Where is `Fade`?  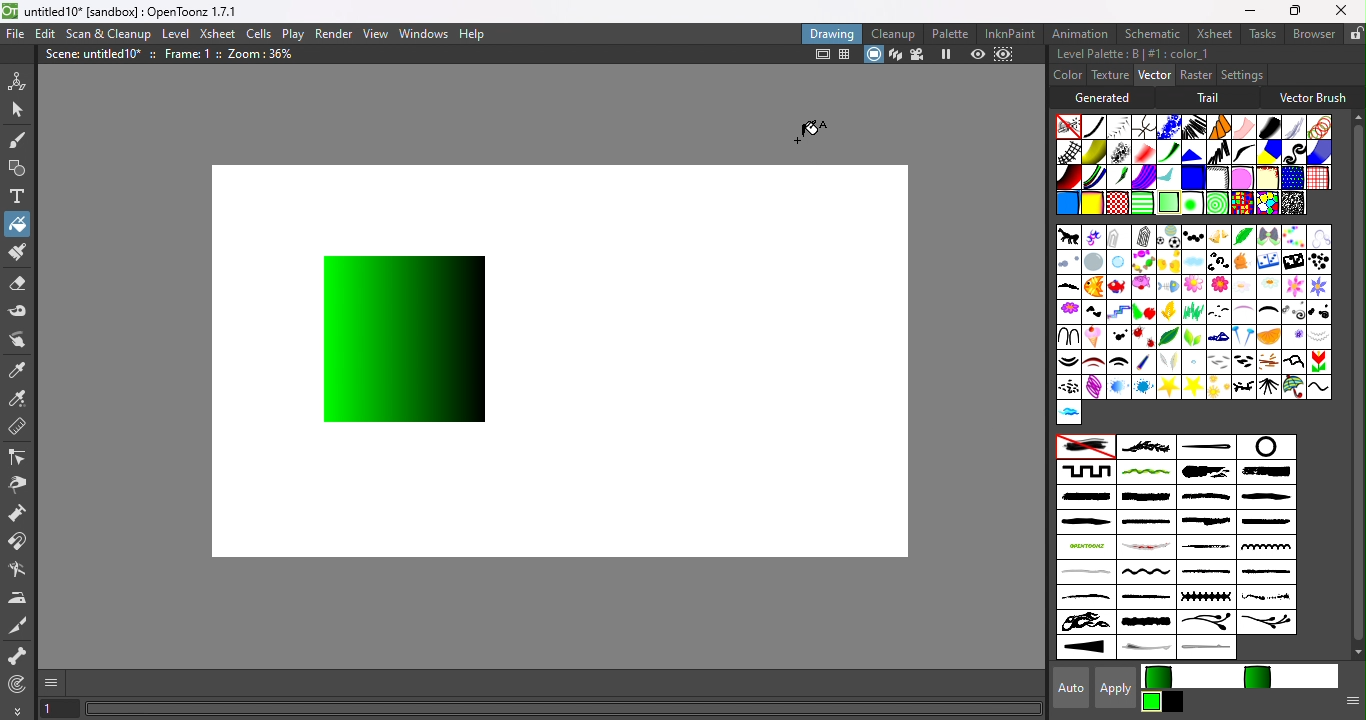 Fade is located at coordinates (1143, 151).